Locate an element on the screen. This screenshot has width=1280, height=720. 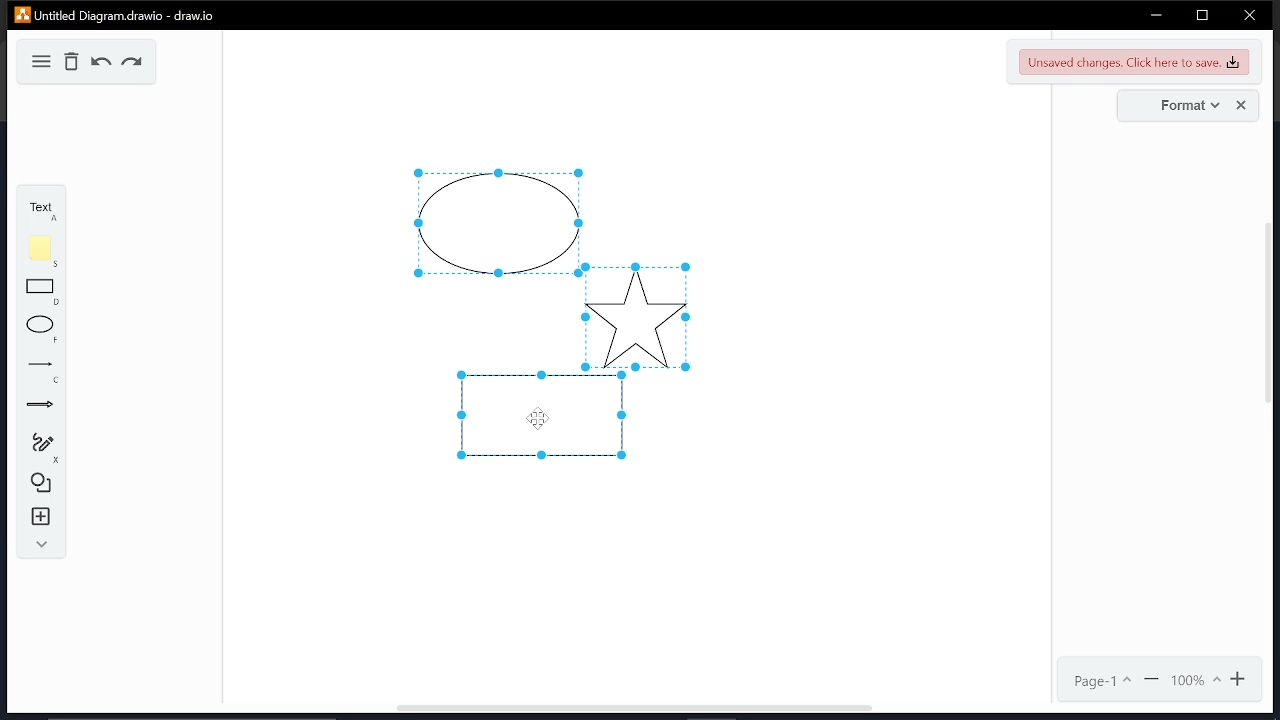
Cursor is located at coordinates (536, 418).